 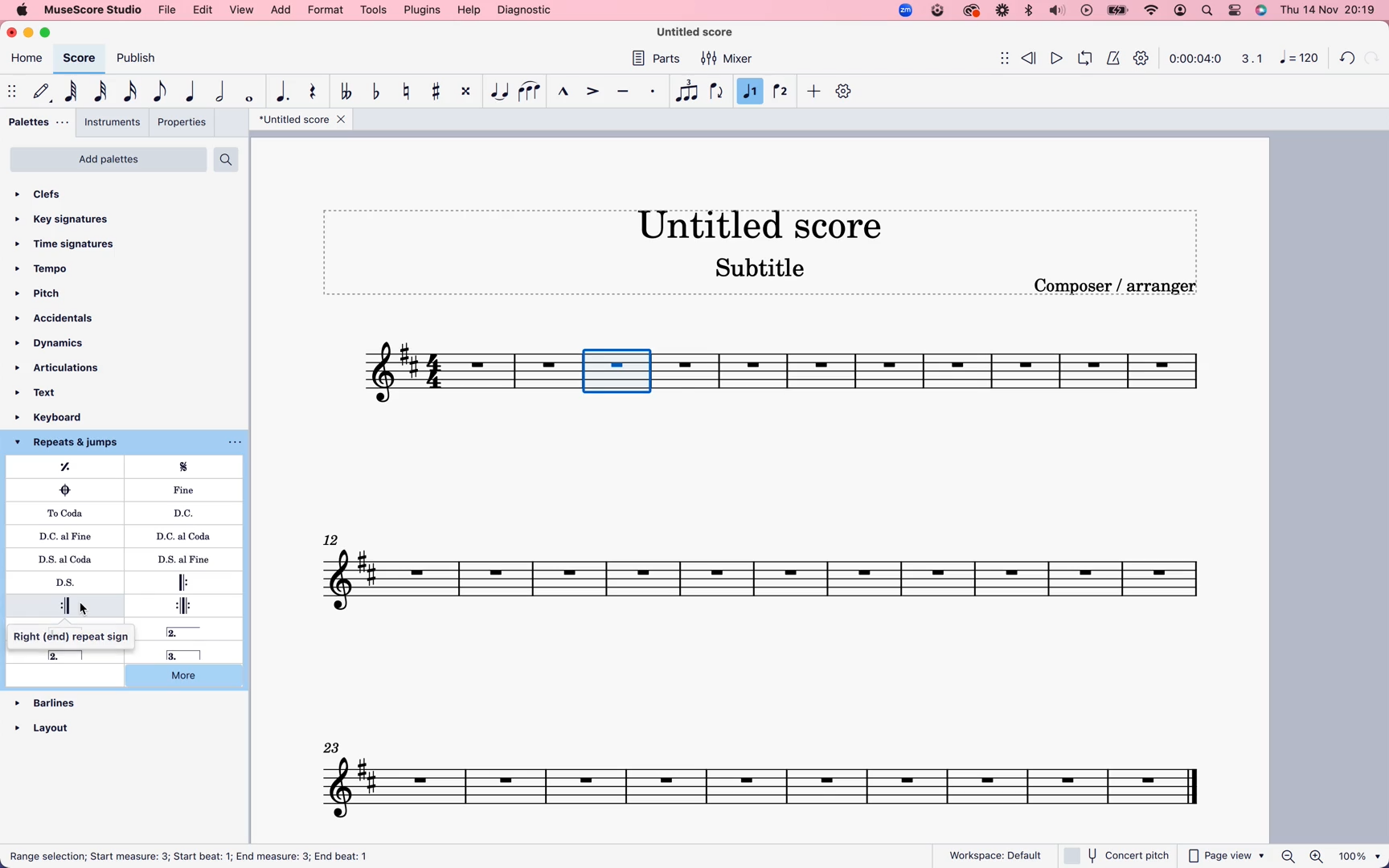 I want to click on score name, so click(x=703, y=32).